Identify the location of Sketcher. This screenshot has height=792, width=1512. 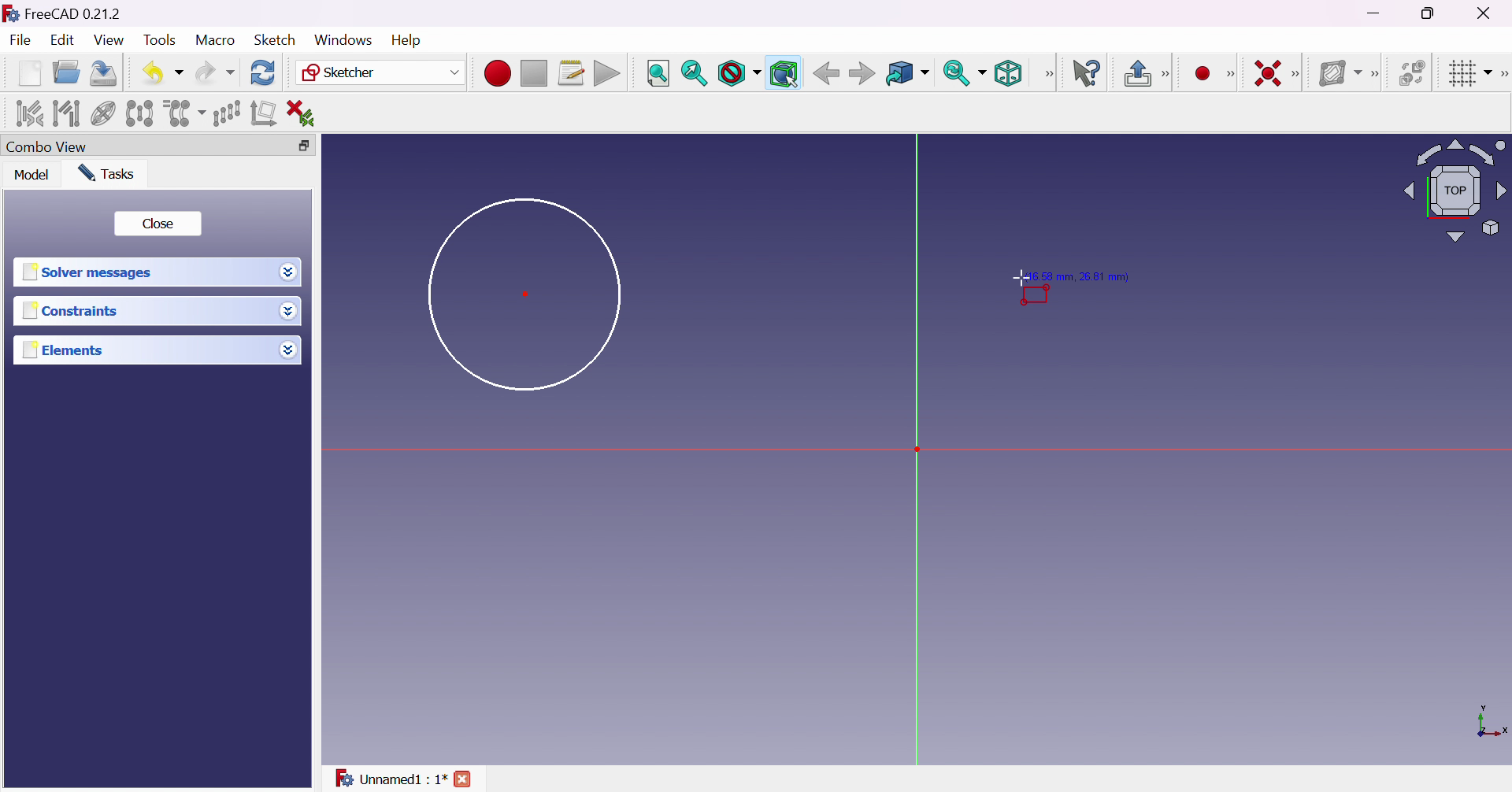
(378, 72).